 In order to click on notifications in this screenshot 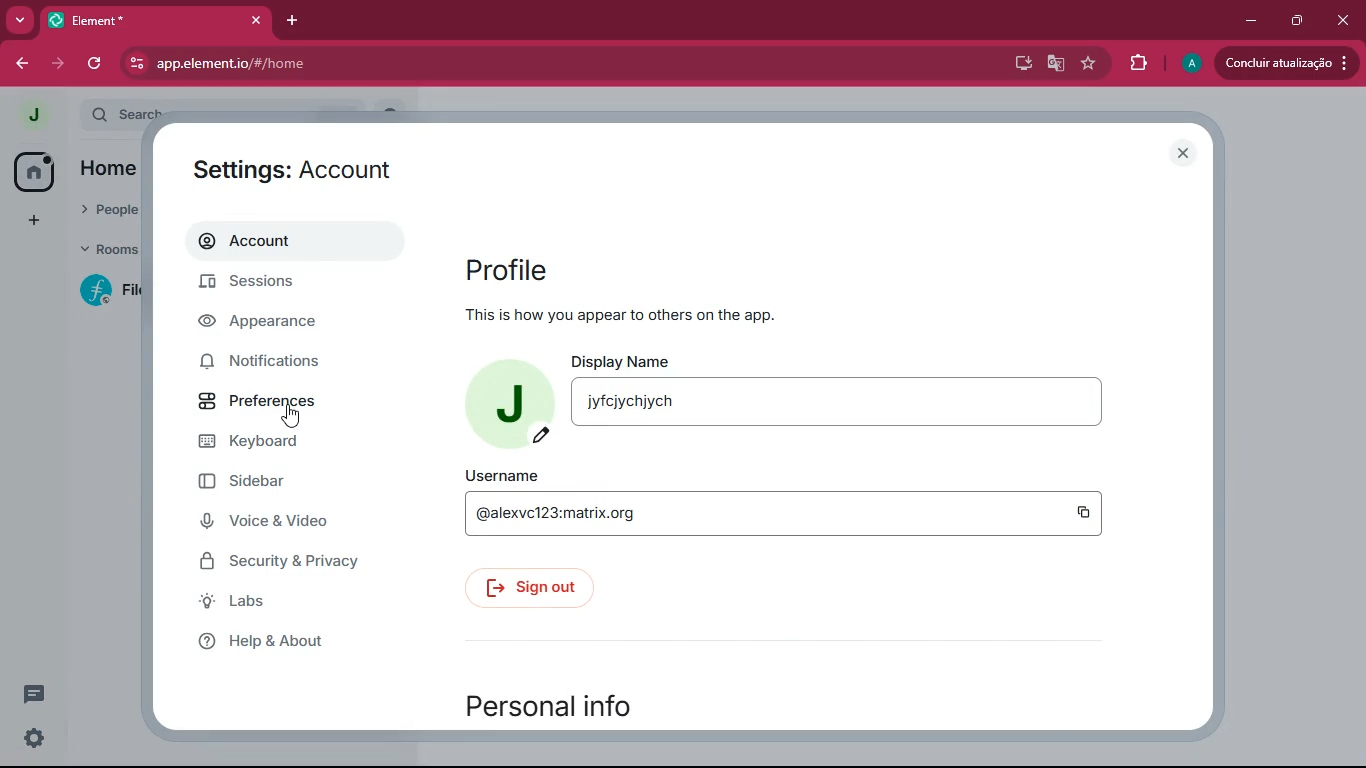, I will do `click(277, 364)`.